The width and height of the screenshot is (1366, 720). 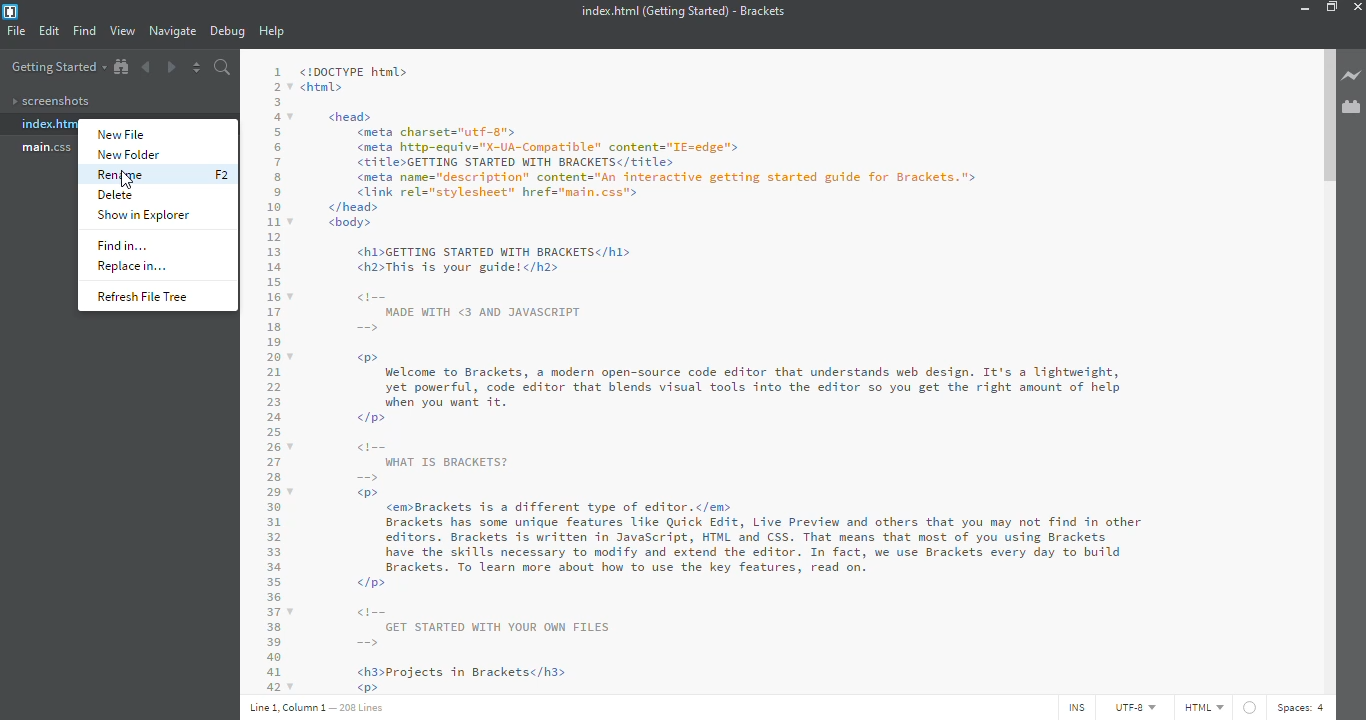 What do you see at coordinates (146, 215) in the screenshot?
I see `show in explorer` at bounding box center [146, 215].